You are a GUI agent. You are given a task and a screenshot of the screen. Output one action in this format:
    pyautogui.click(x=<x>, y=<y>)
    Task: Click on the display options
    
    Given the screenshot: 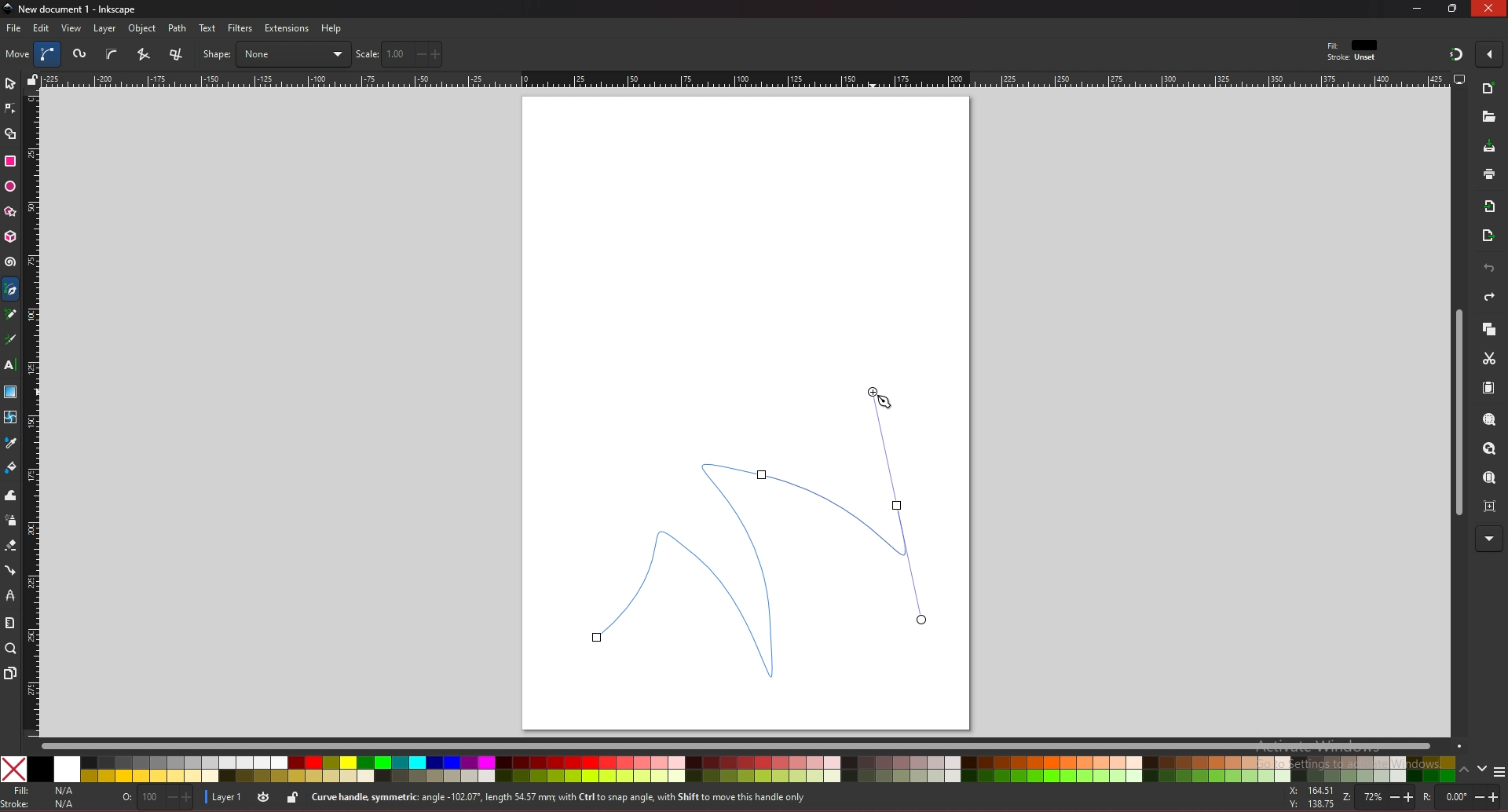 What is the action you would take?
    pyautogui.click(x=1459, y=79)
    